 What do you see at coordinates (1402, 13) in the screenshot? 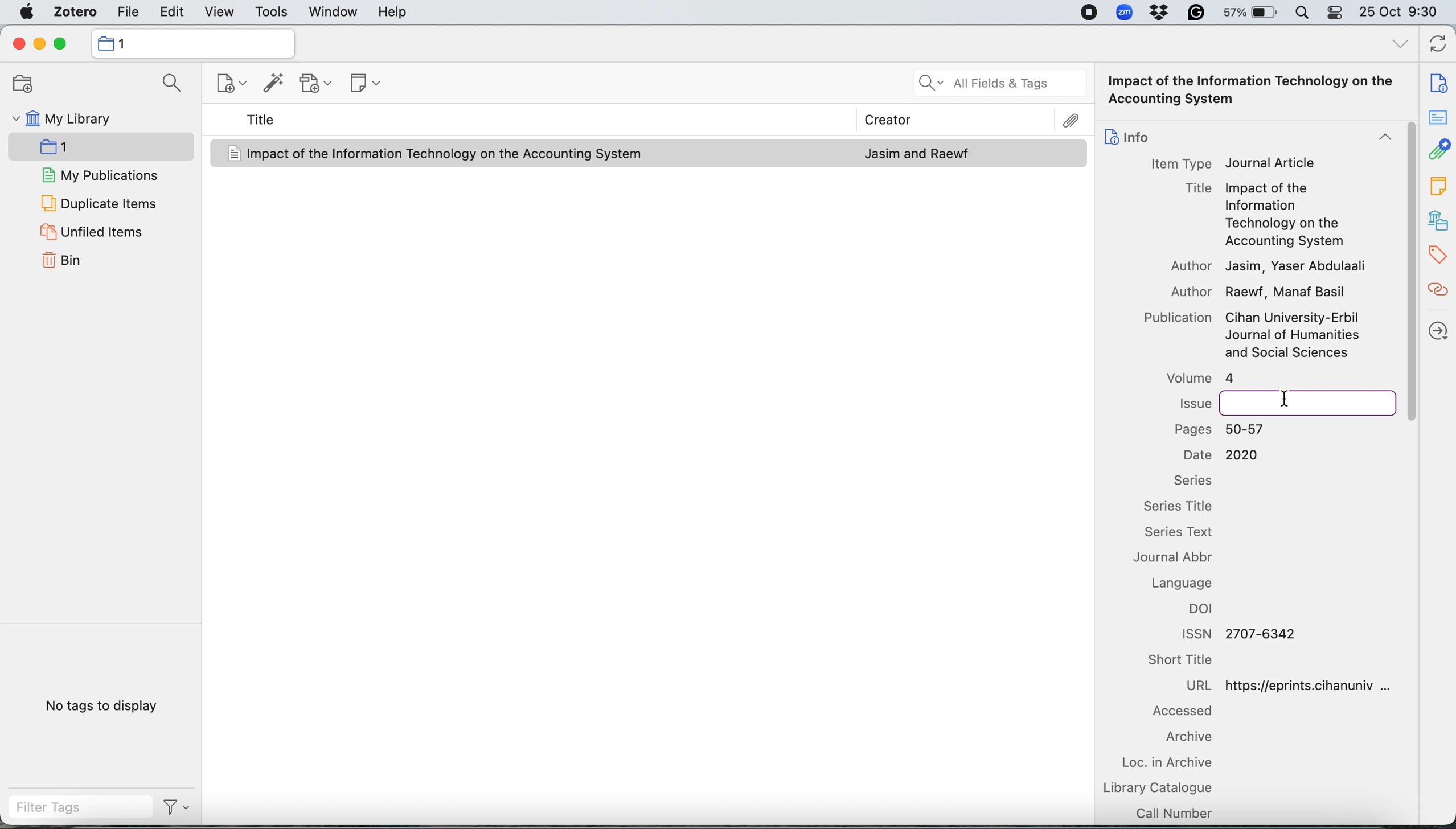
I see `25 Oct 9:30` at bounding box center [1402, 13].